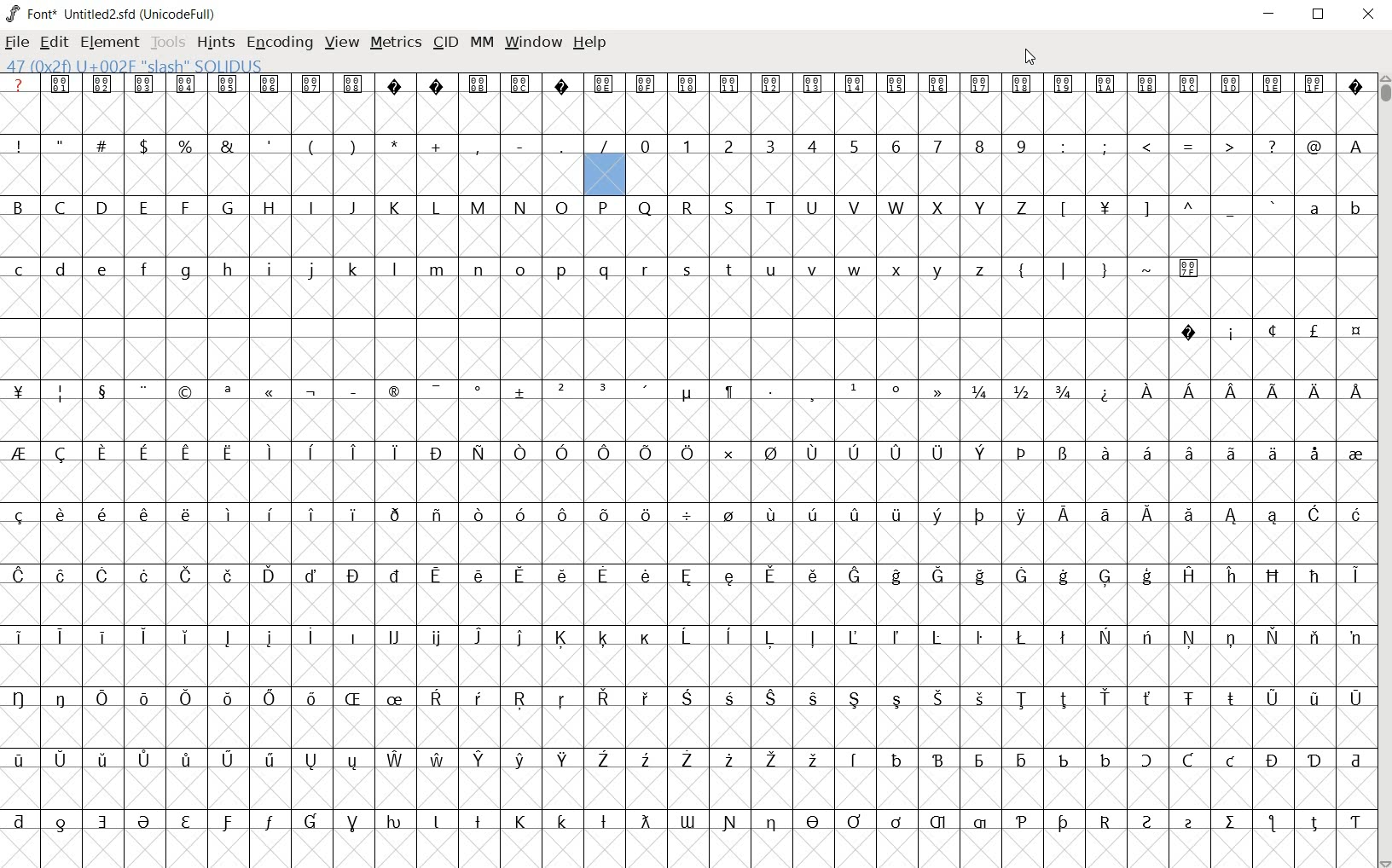  I want to click on symbols, so click(1189, 146).